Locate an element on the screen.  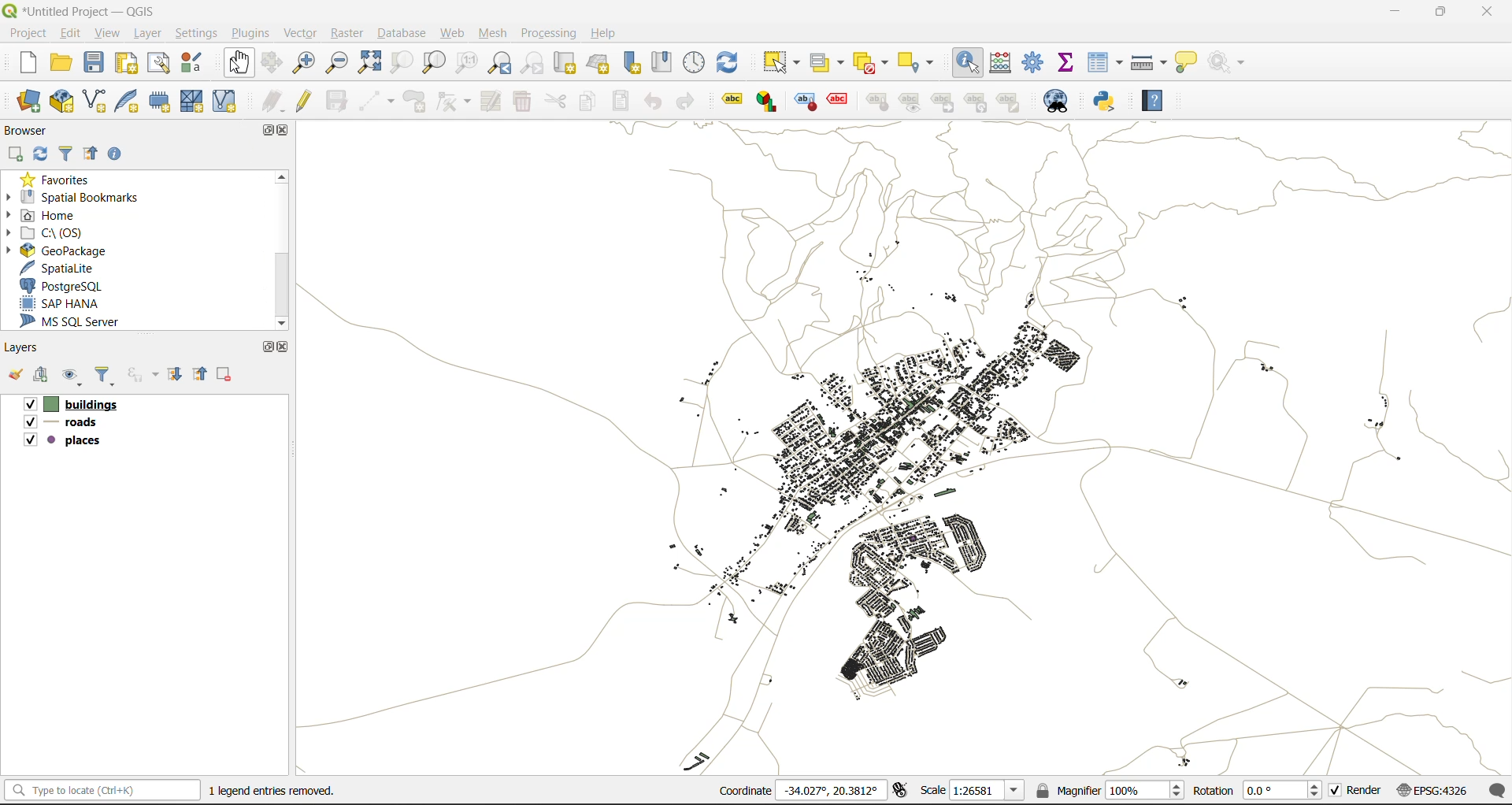
web is located at coordinates (454, 32).